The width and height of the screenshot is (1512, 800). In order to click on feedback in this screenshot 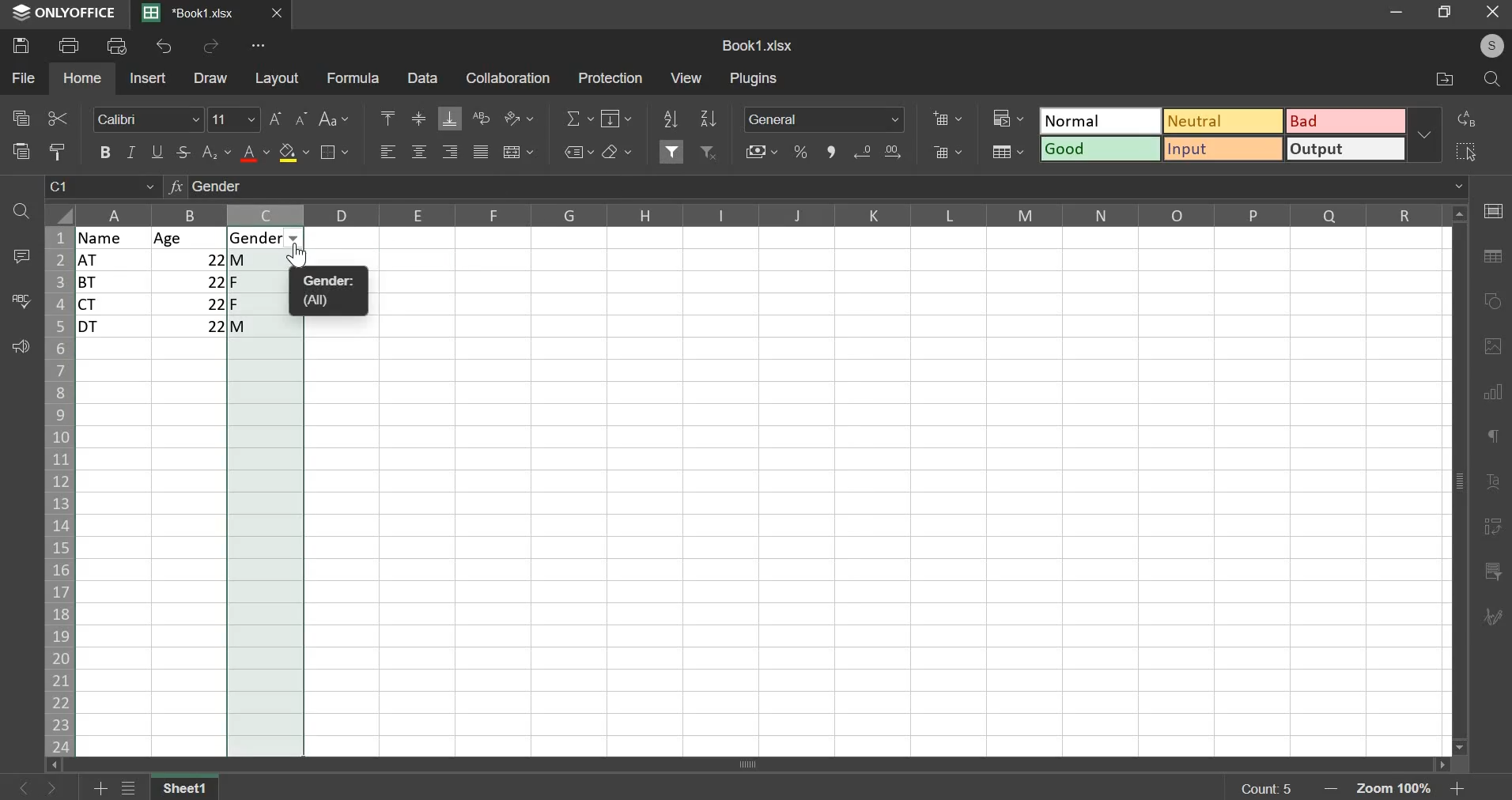, I will do `click(18, 347)`.